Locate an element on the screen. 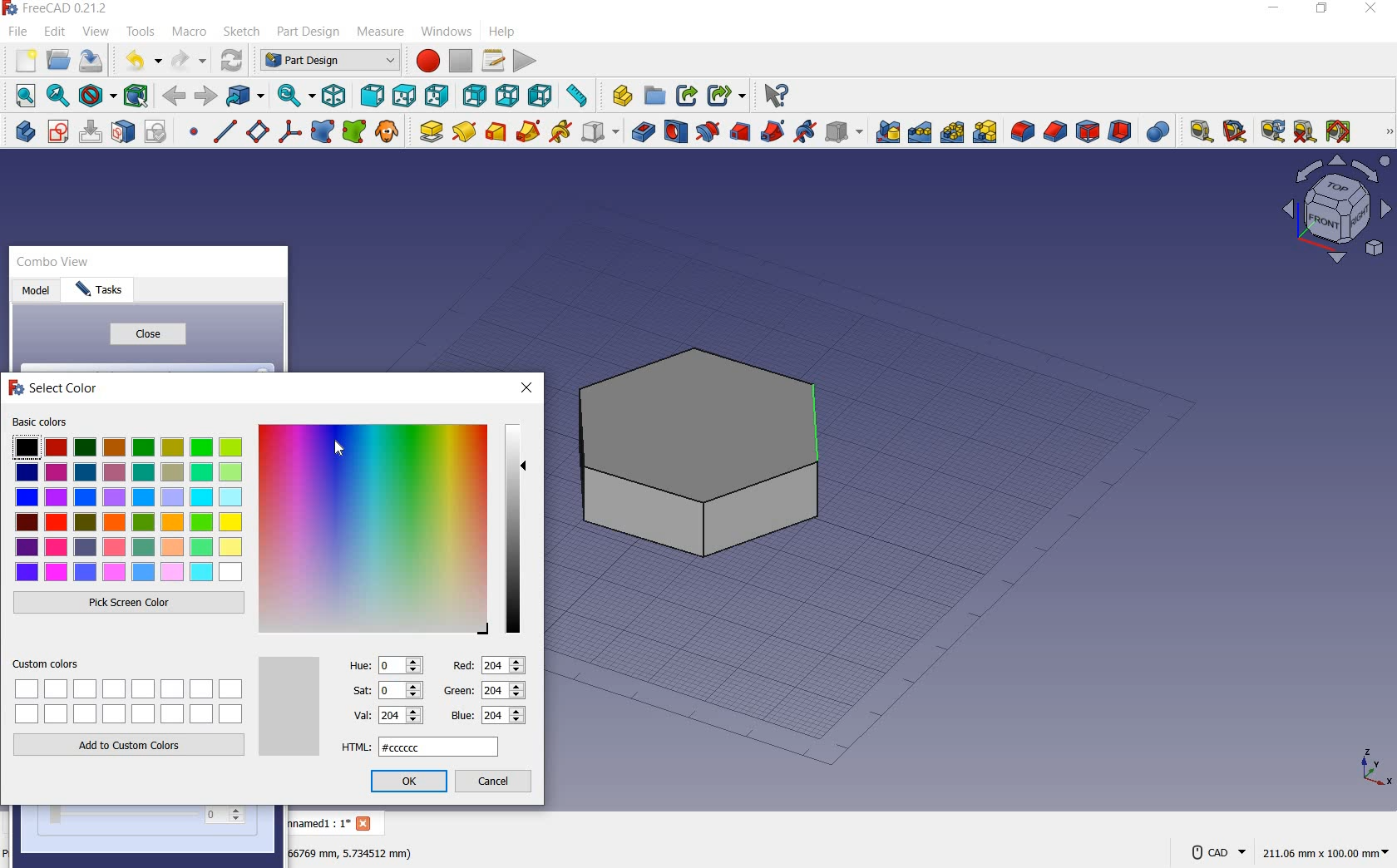  draw style is located at coordinates (96, 96).